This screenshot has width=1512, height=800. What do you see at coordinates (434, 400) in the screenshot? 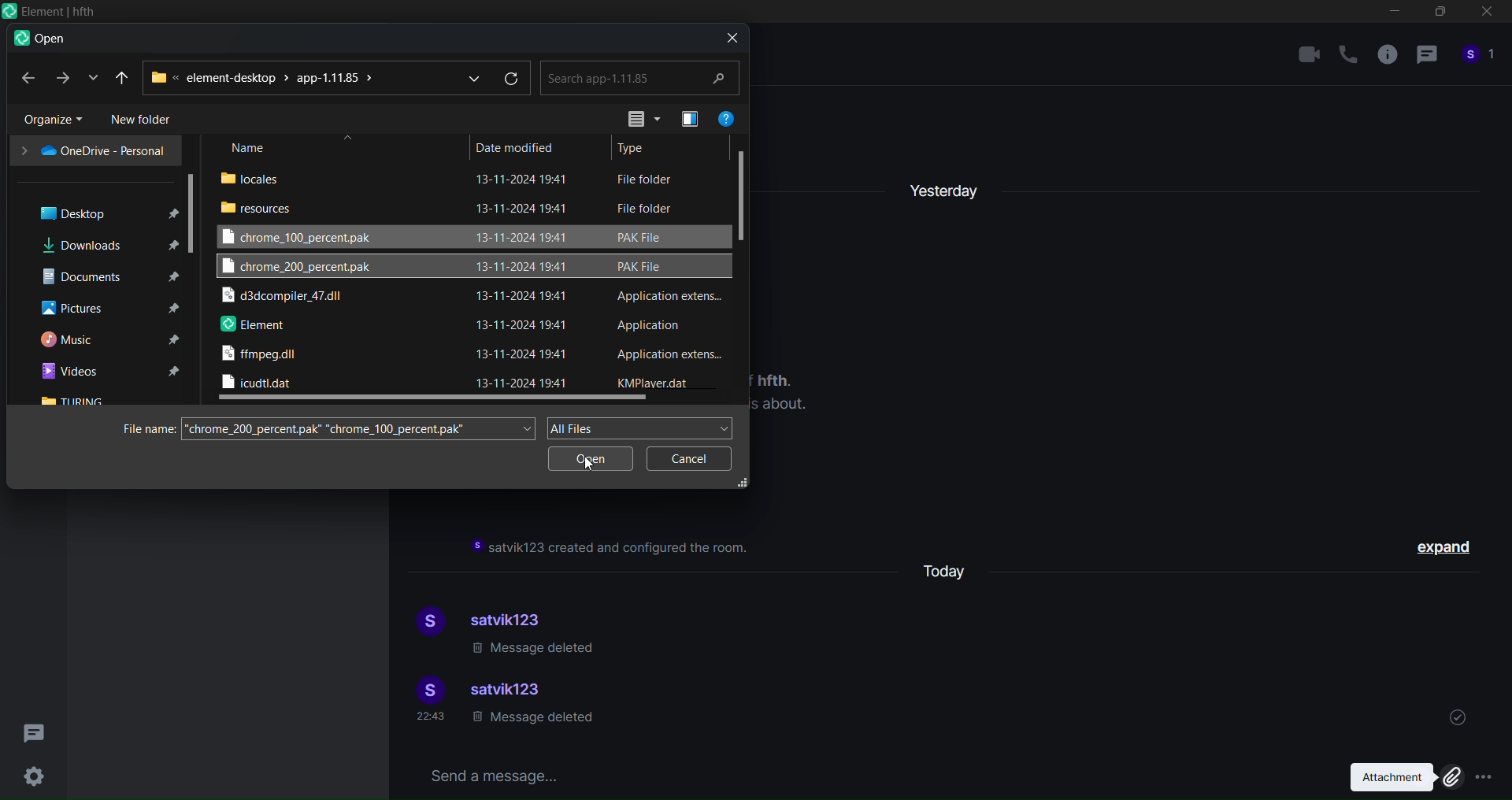
I see `horizontal scroll bar` at bounding box center [434, 400].